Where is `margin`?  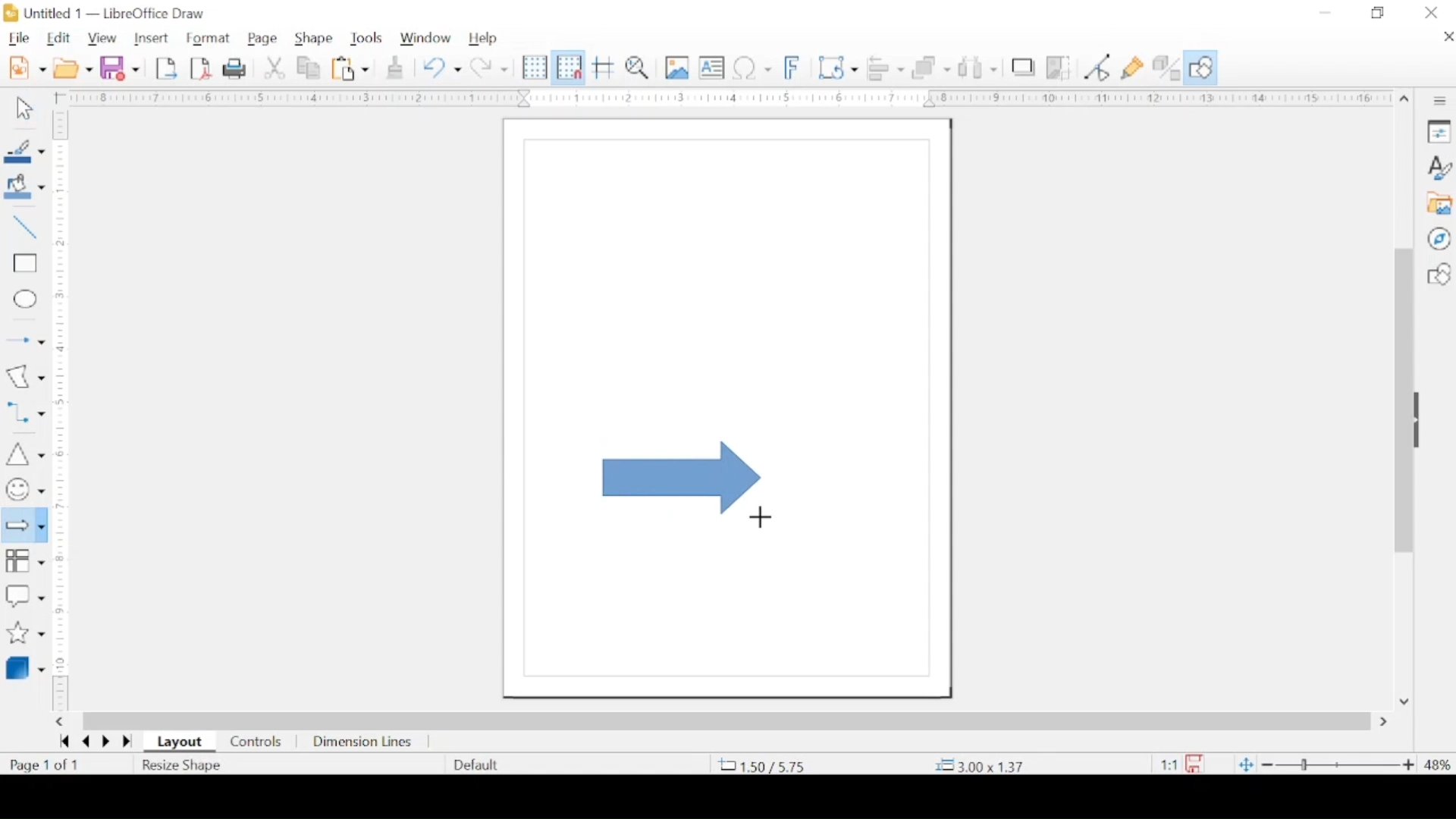
margin is located at coordinates (720, 98).